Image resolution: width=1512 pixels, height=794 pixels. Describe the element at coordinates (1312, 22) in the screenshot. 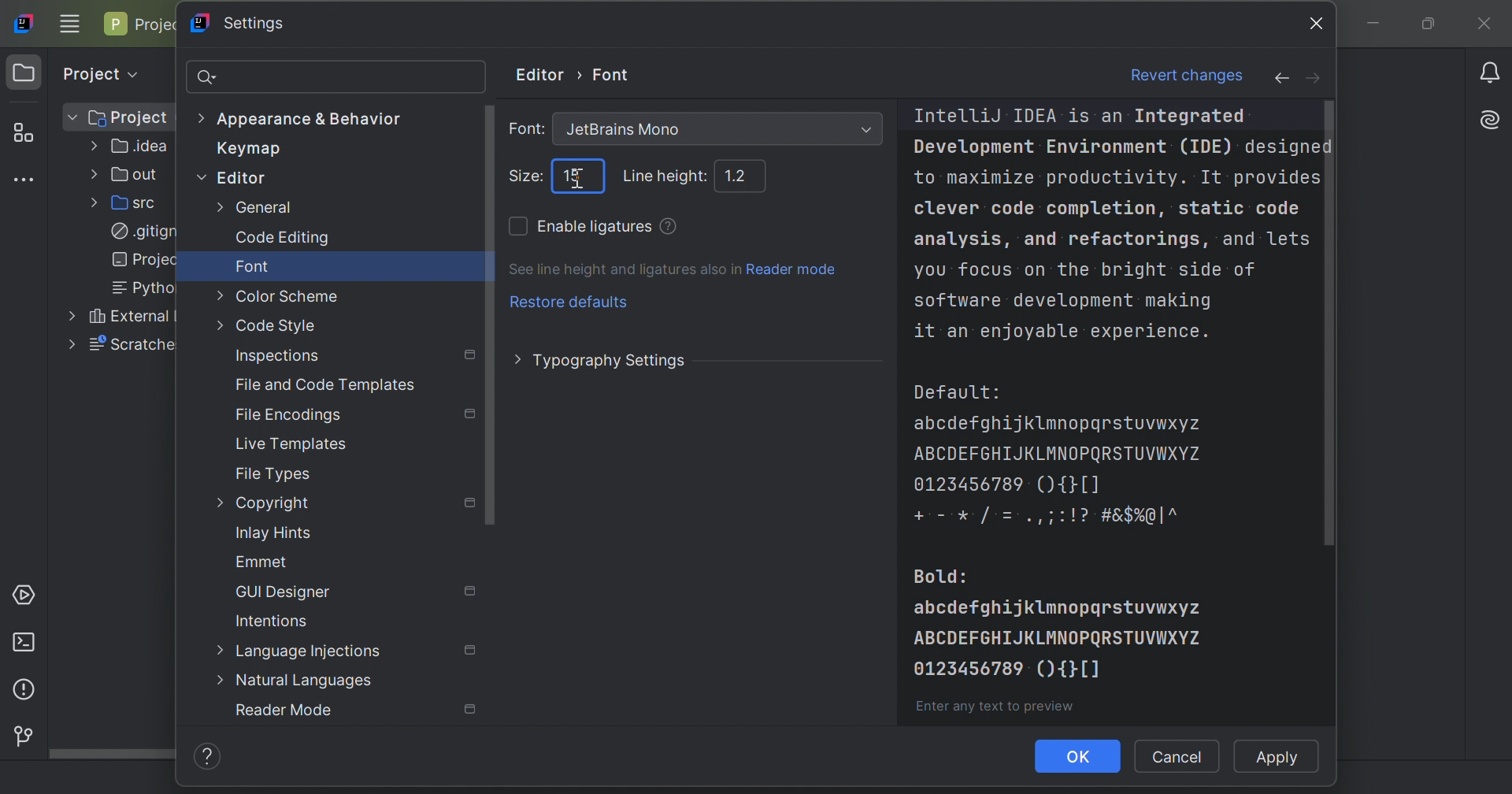

I see `close icon` at that location.